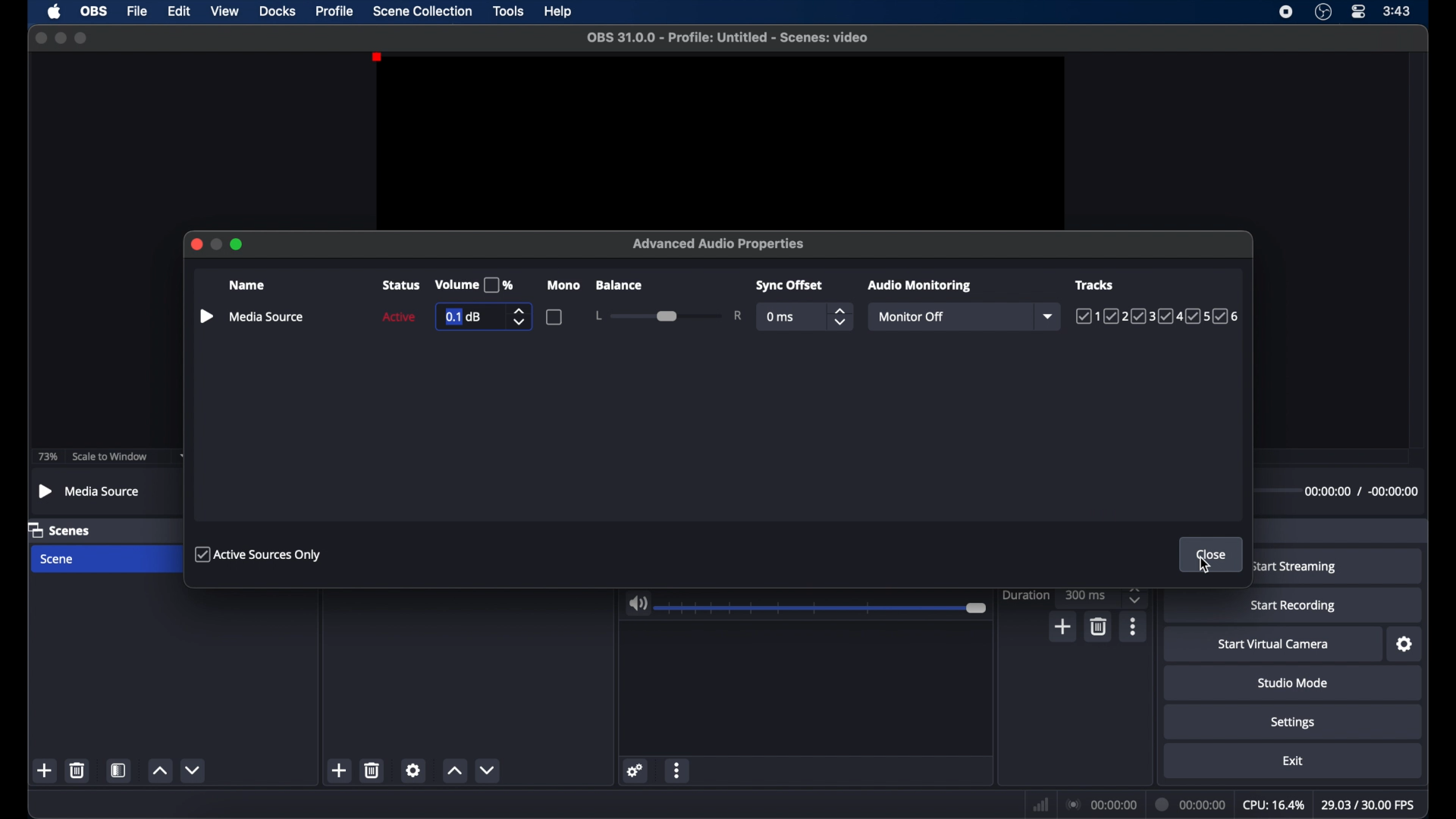 This screenshot has width=1456, height=819. What do you see at coordinates (77, 770) in the screenshot?
I see `delete` at bounding box center [77, 770].